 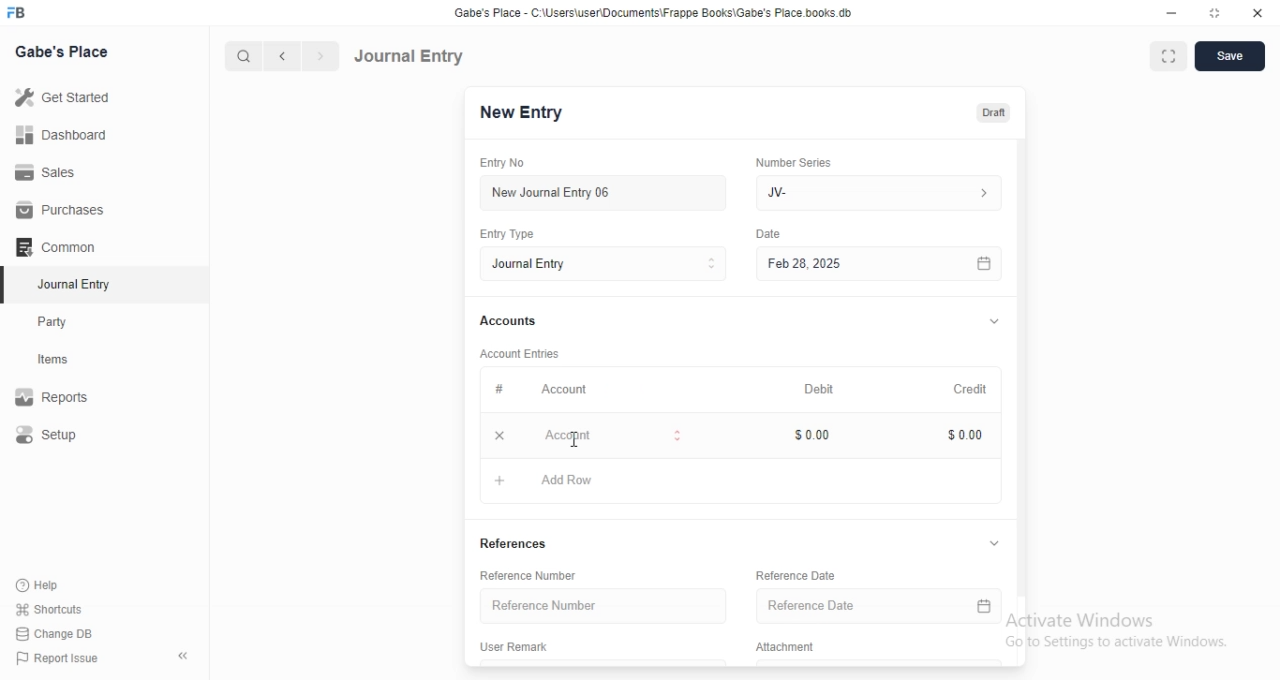 What do you see at coordinates (993, 114) in the screenshot?
I see `draft` at bounding box center [993, 114].